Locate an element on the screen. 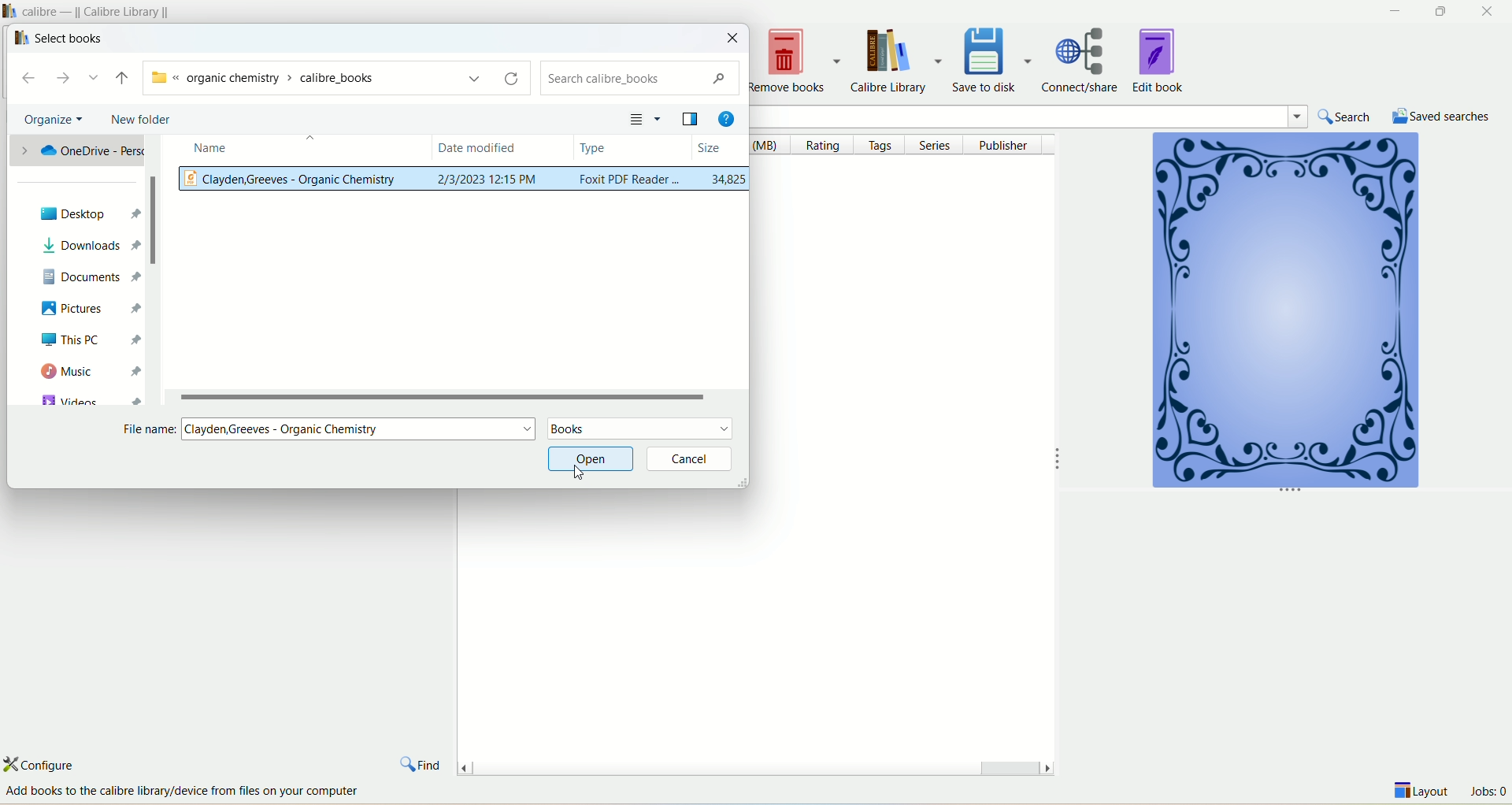  search is located at coordinates (1065, 115).